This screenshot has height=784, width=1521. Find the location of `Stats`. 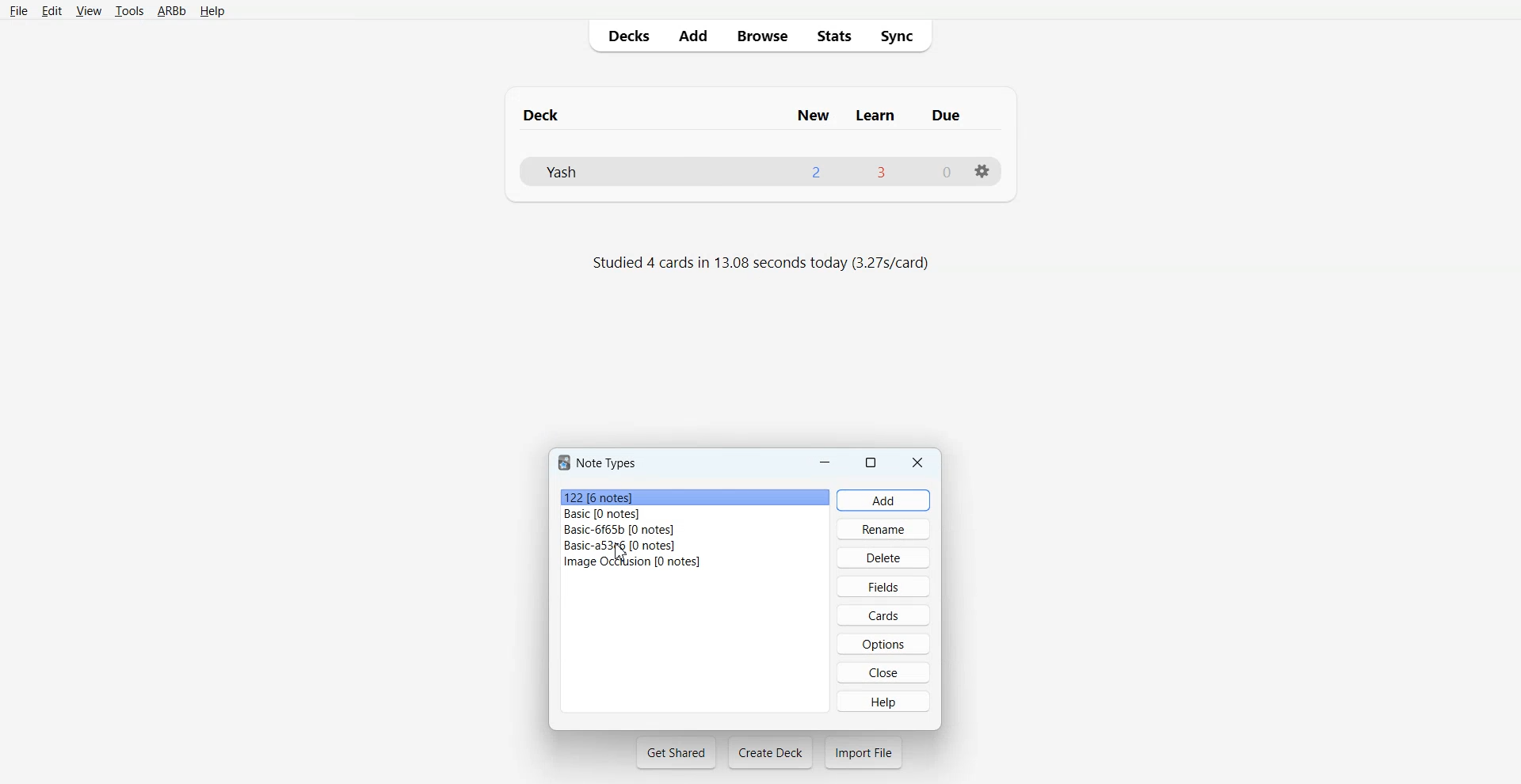

Stats is located at coordinates (833, 35).